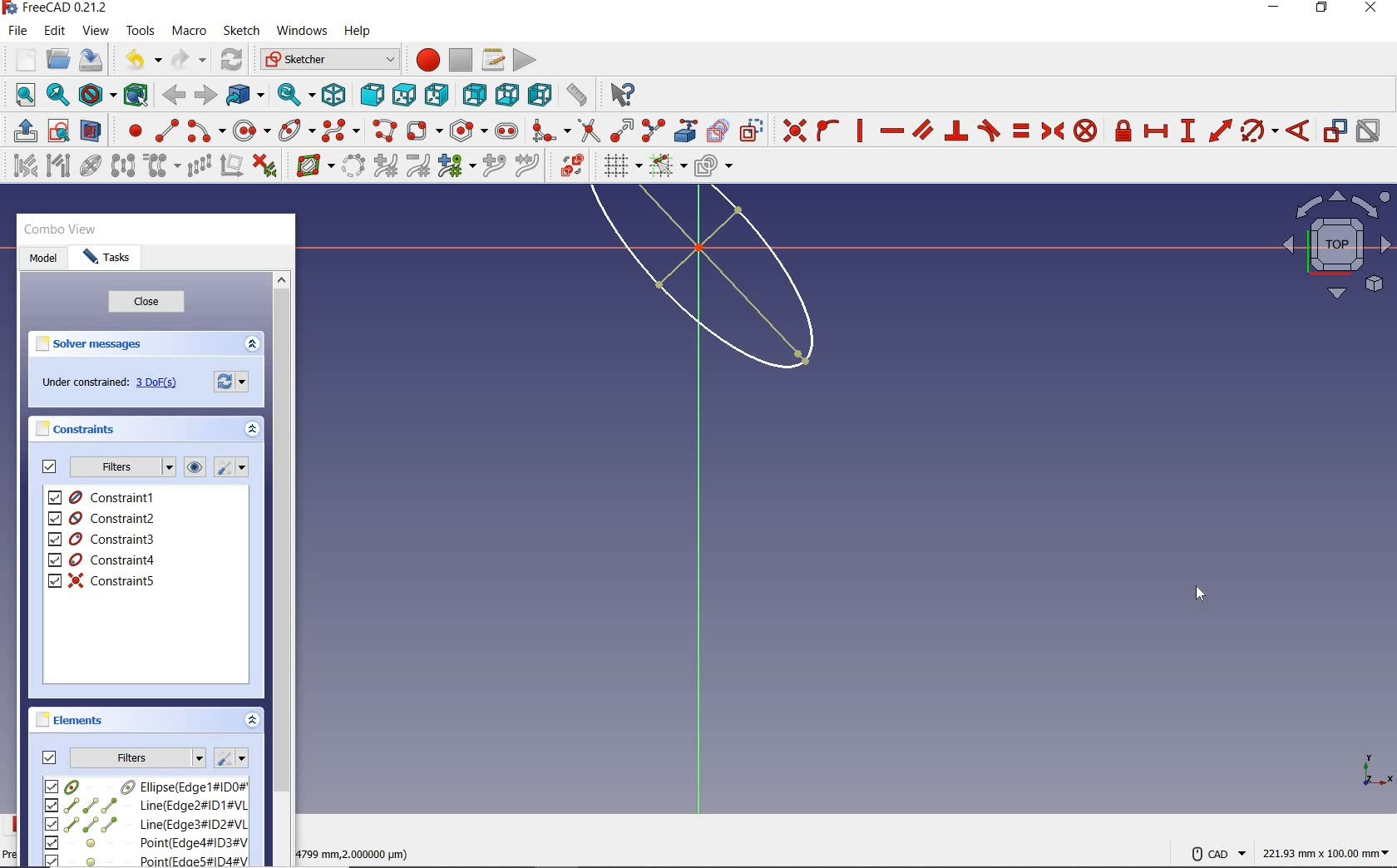 This screenshot has width=1397, height=868. I want to click on insert knot, so click(495, 166).